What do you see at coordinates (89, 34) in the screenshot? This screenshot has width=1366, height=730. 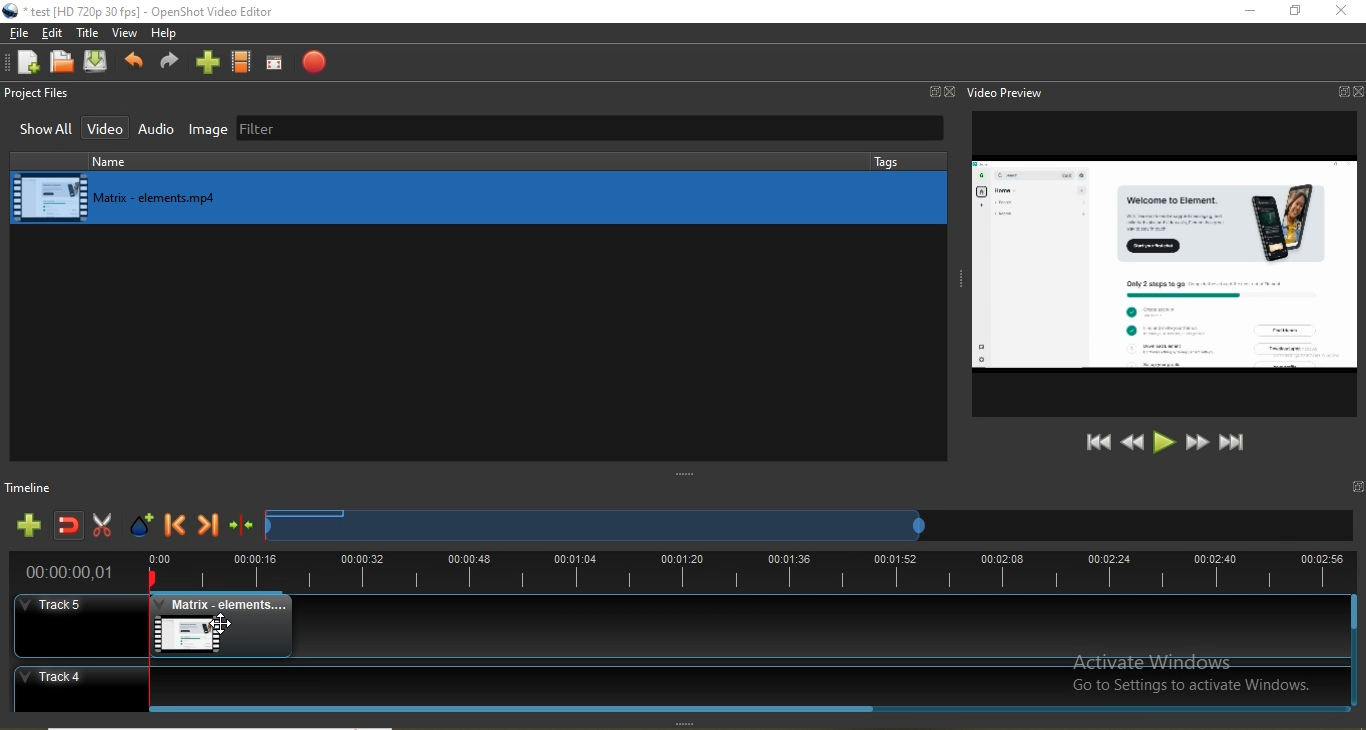 I see `Title` at bounding box center [89, 34].